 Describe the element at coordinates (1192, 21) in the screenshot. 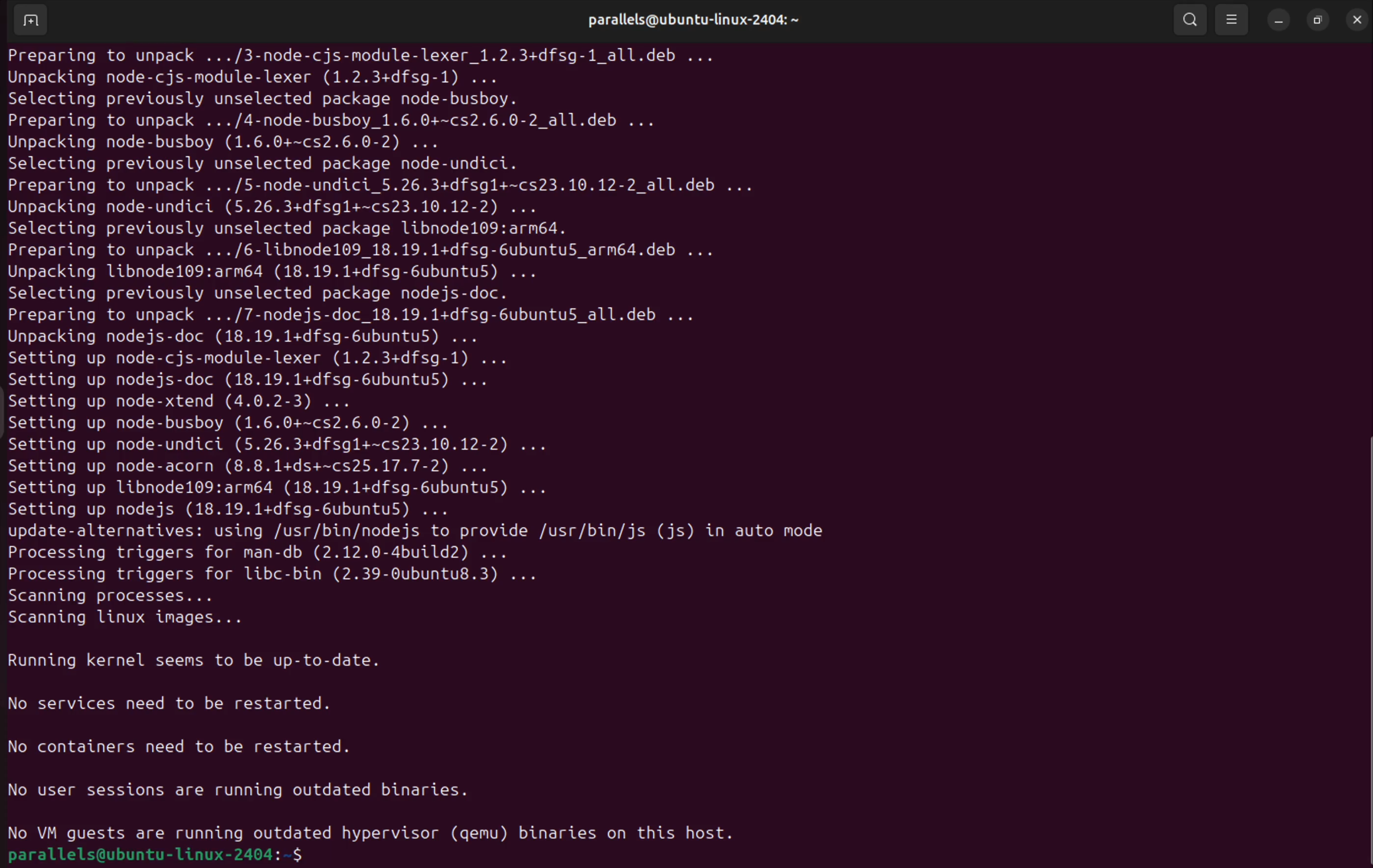

I see `search` at that location.